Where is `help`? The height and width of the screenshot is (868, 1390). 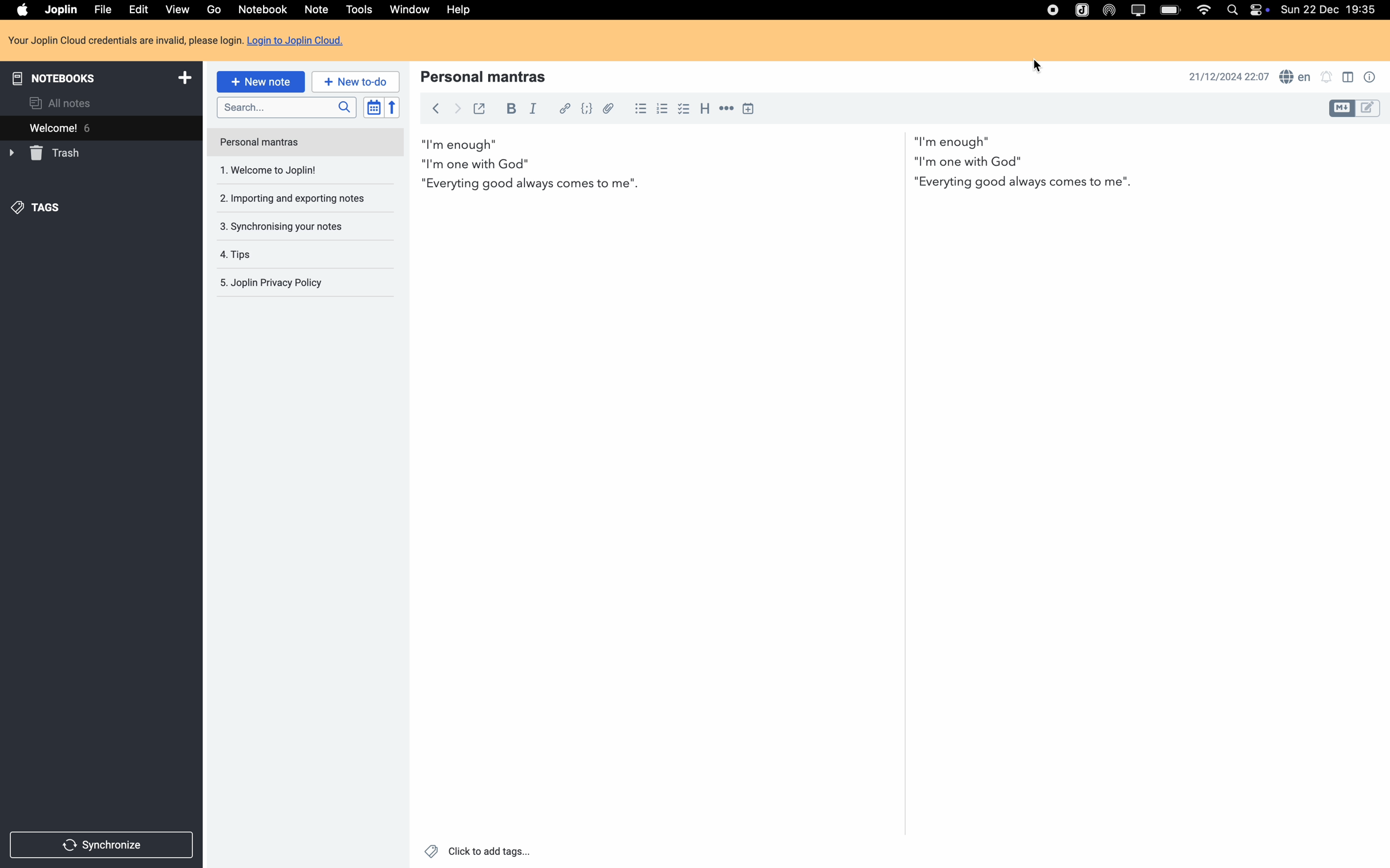
help is located at coordinates (464, 11).